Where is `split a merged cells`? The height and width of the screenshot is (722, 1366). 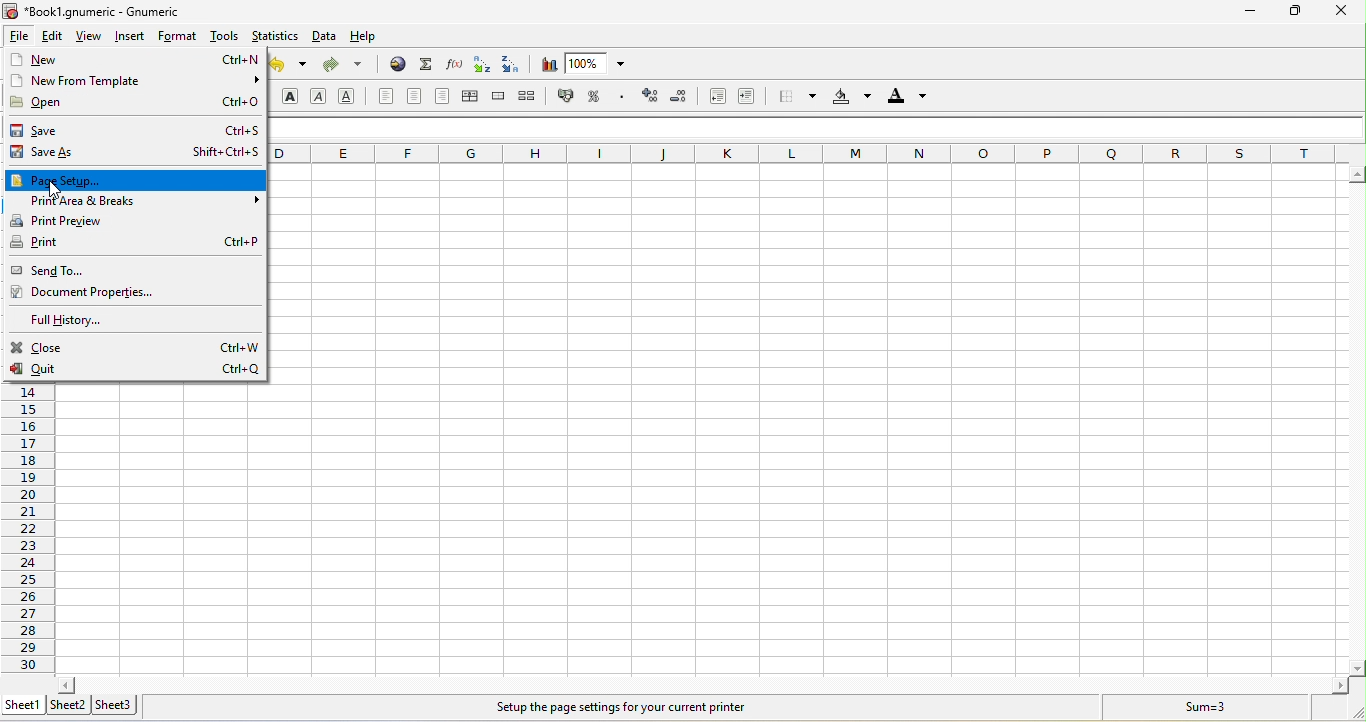
split a merged cells is located at coordinates (532, 96).